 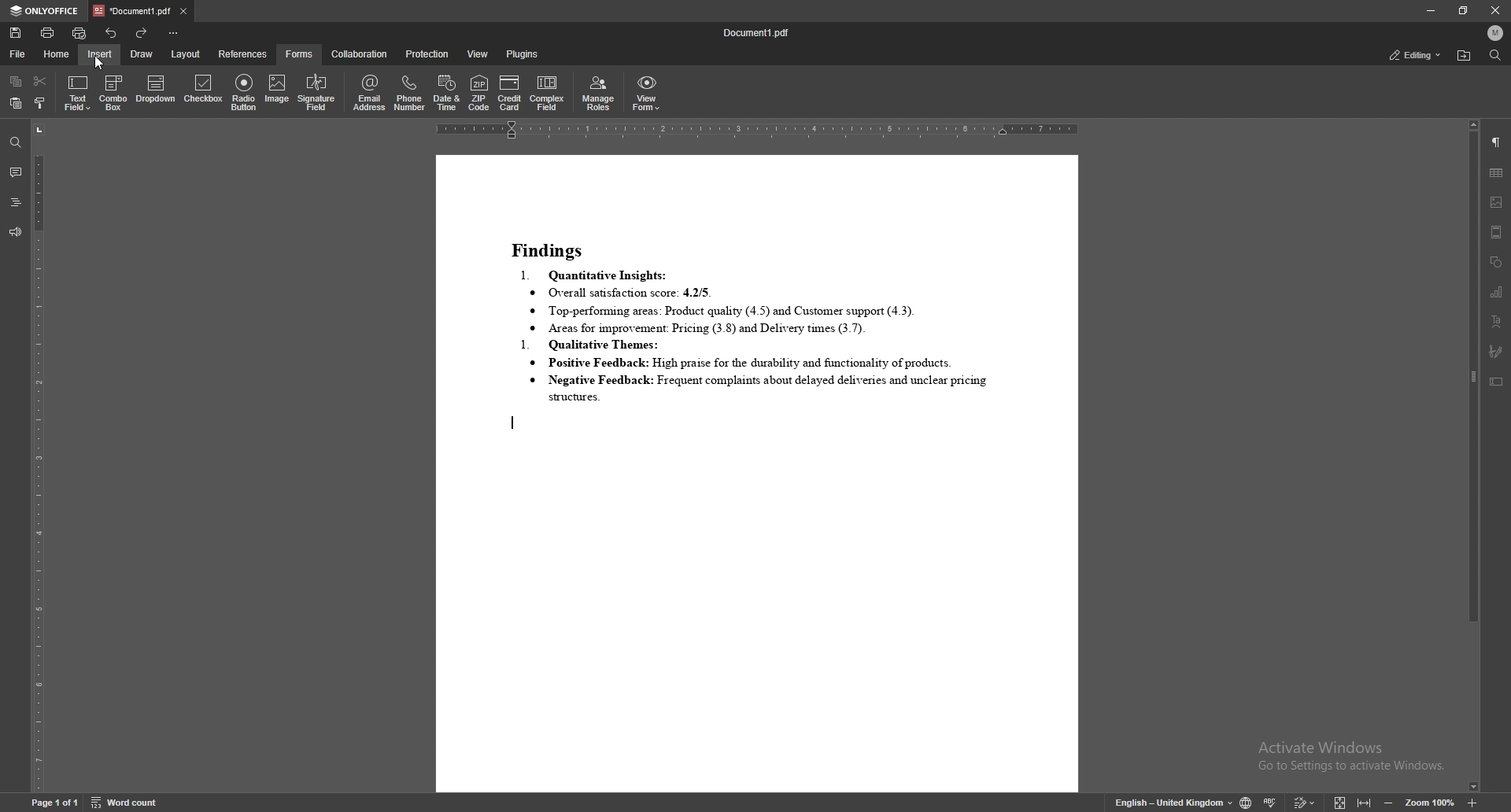 What do you see at coordinates (1340, 802) in the screenshot?
I see `fit to screen` at bounding box center [1340, 802].